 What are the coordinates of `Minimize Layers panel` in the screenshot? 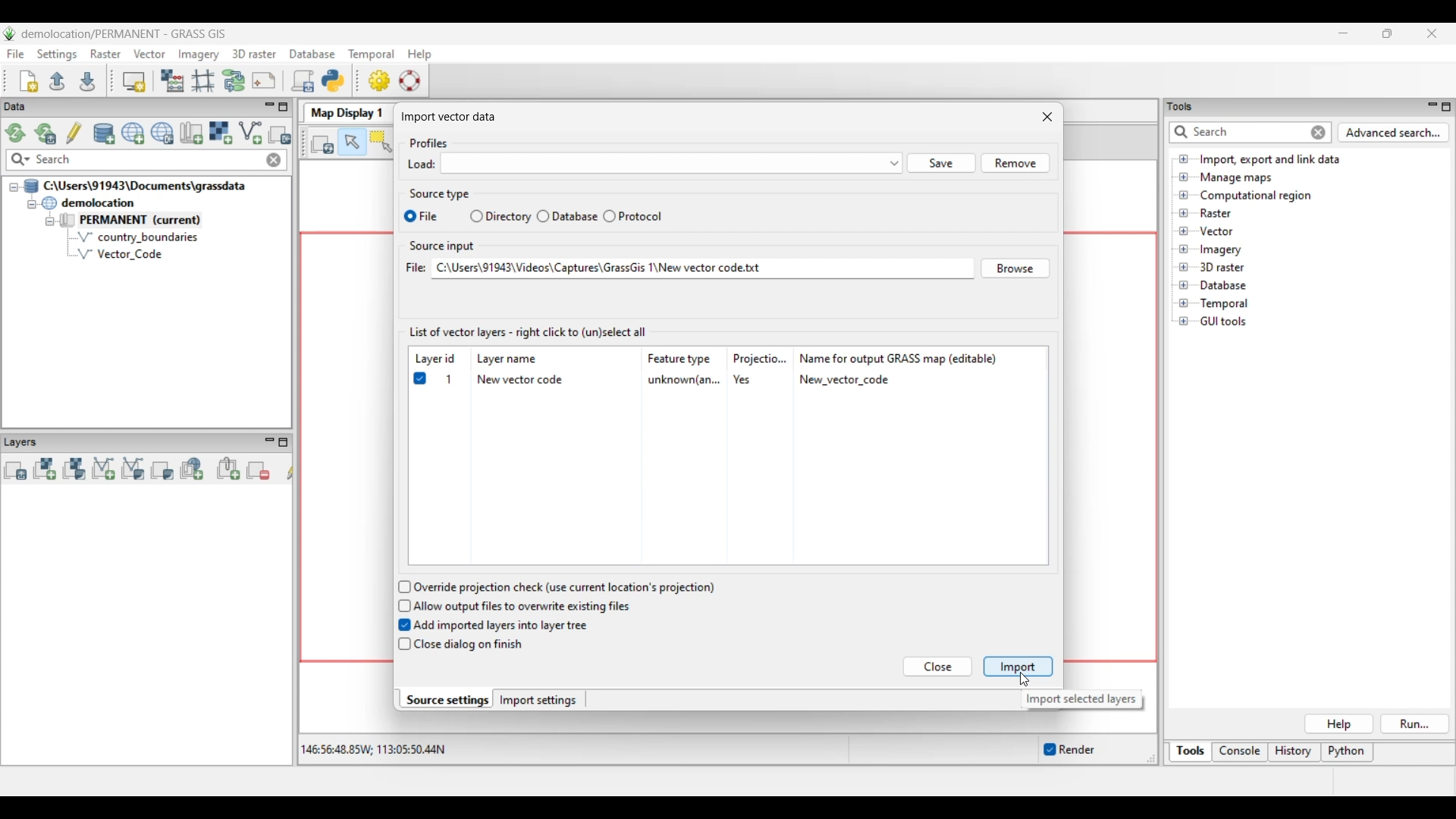 It's located at (269, 442).